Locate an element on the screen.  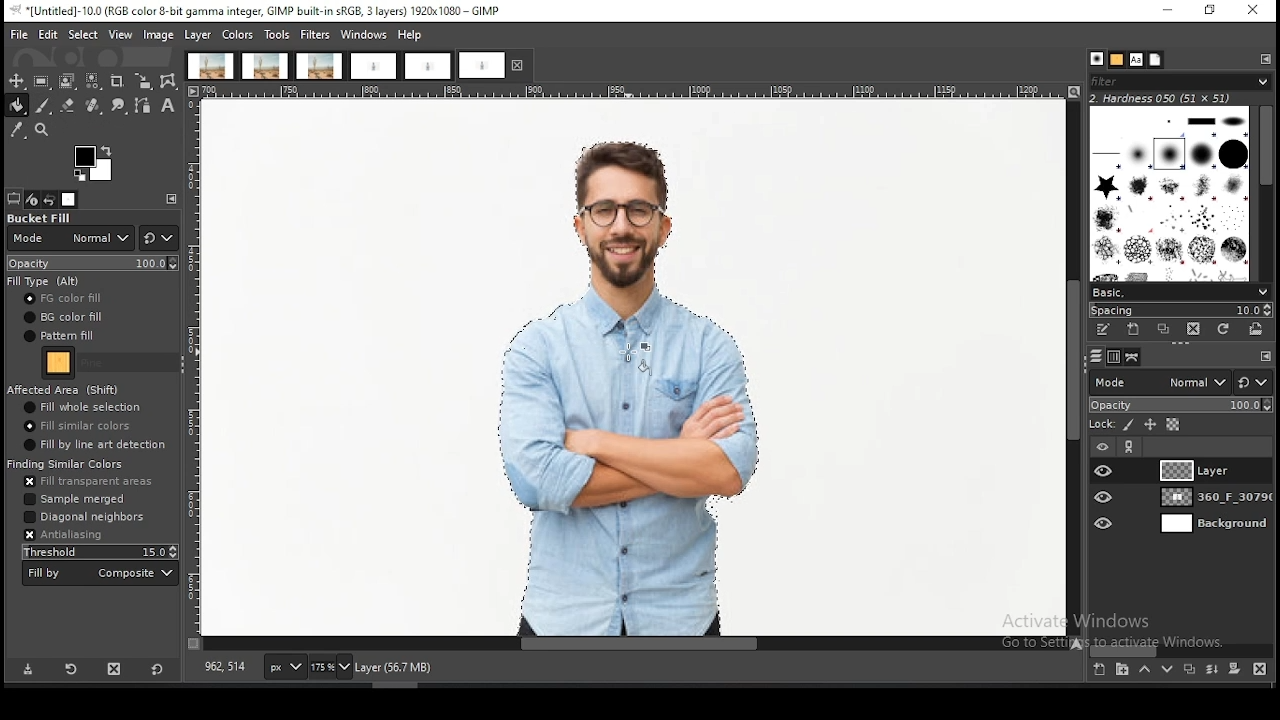
select by similar color is located at coordinates (92, 81).